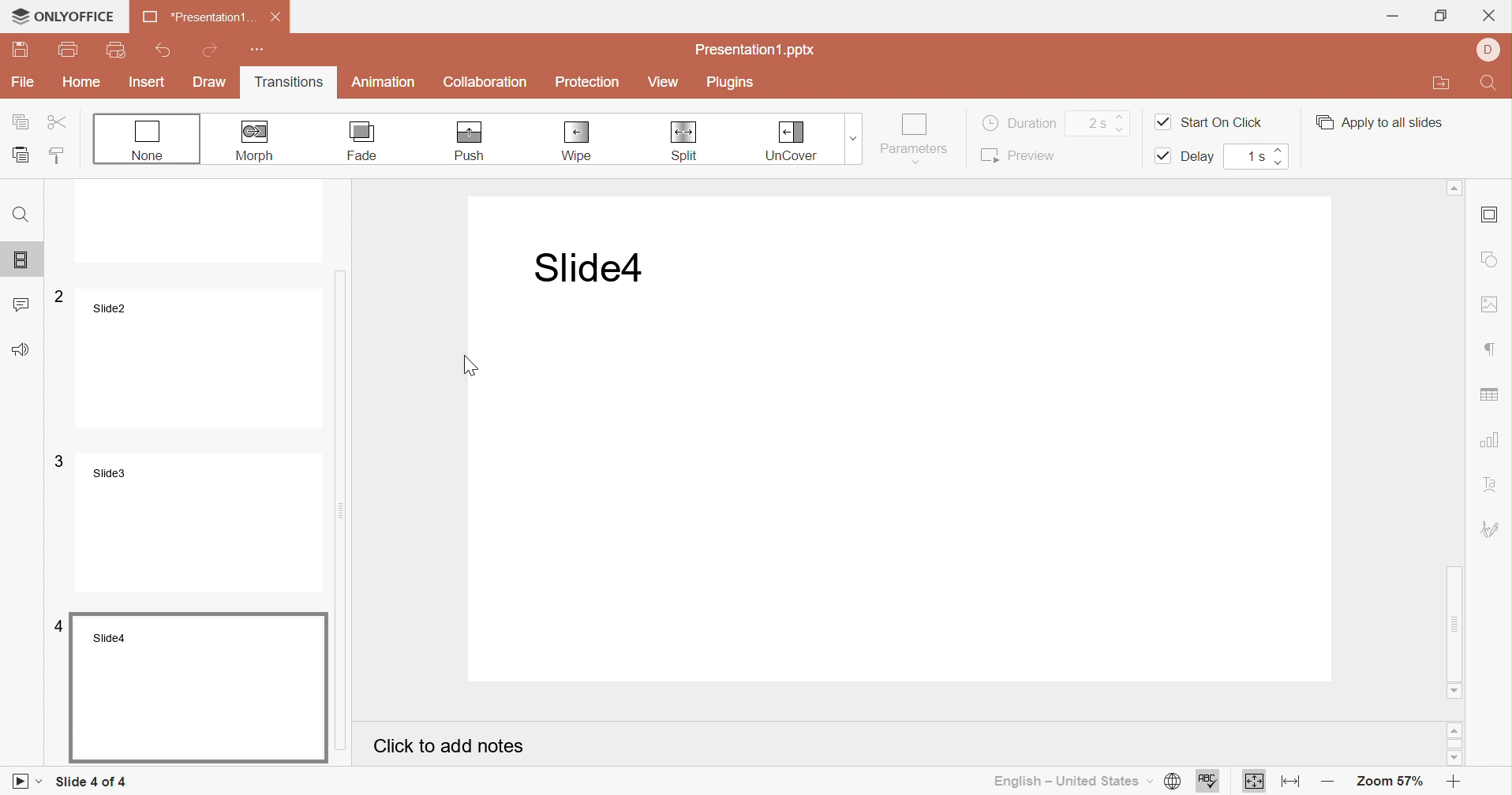  What do you see at coordinates (1491, 15) in the screenshot?
I see `Close` at bounding box center [1491, 15].